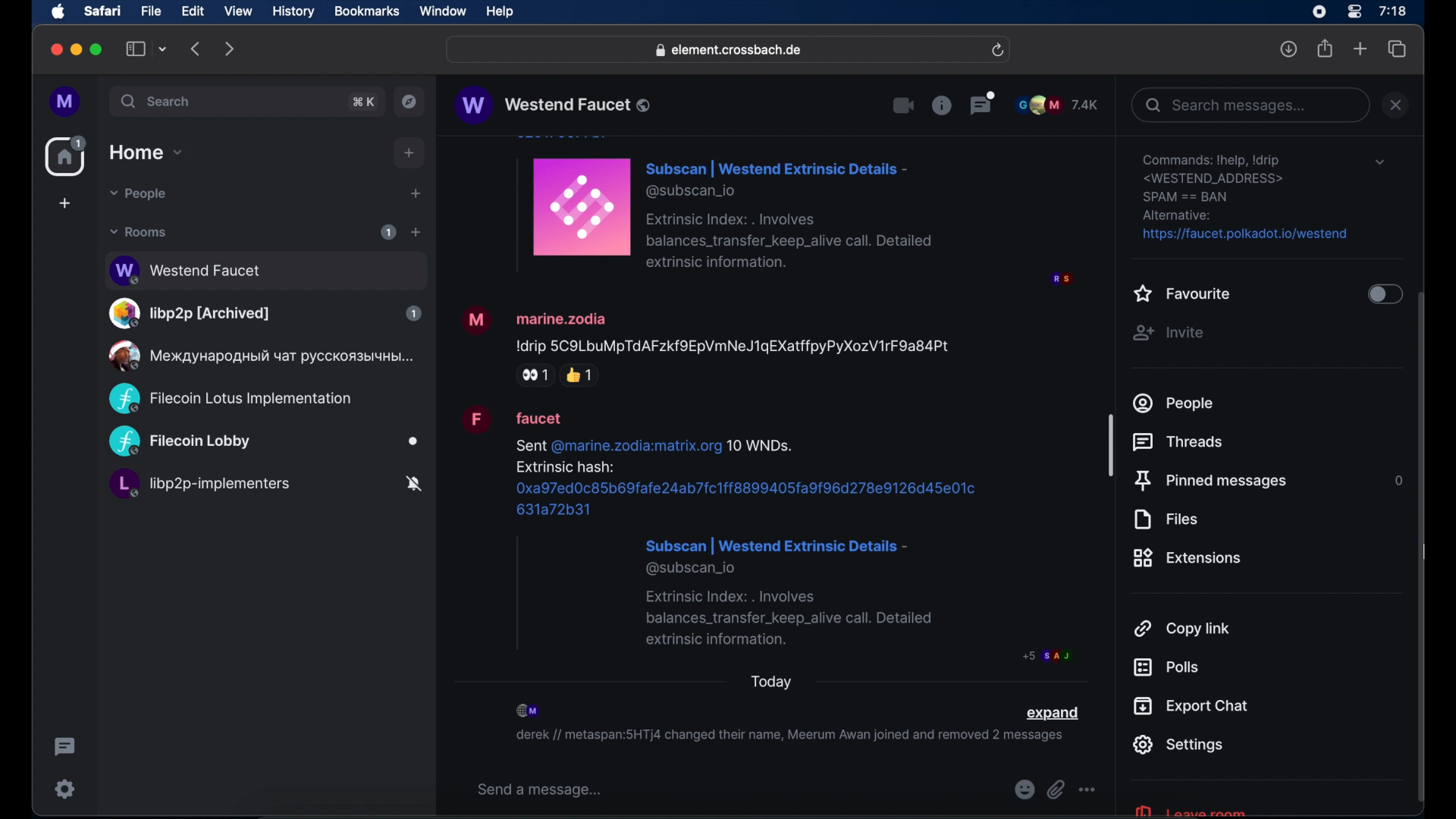  I want to click on apple icon, so click(58, 12).